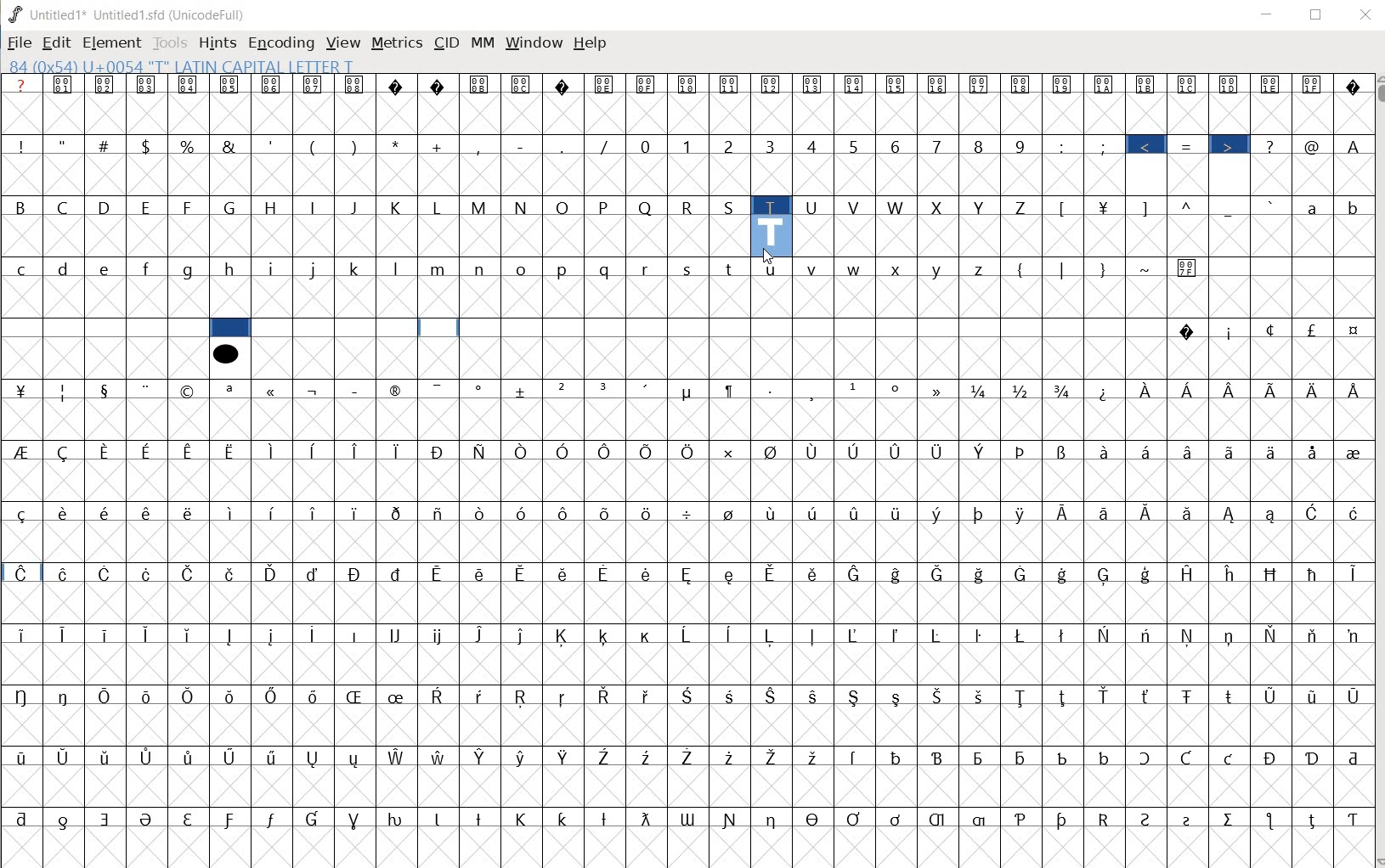 The height and width of the screenshot is (868, 1385). Describe the element at coordinates (771, 235) in the screenshot. I see `T glyph` at that location.